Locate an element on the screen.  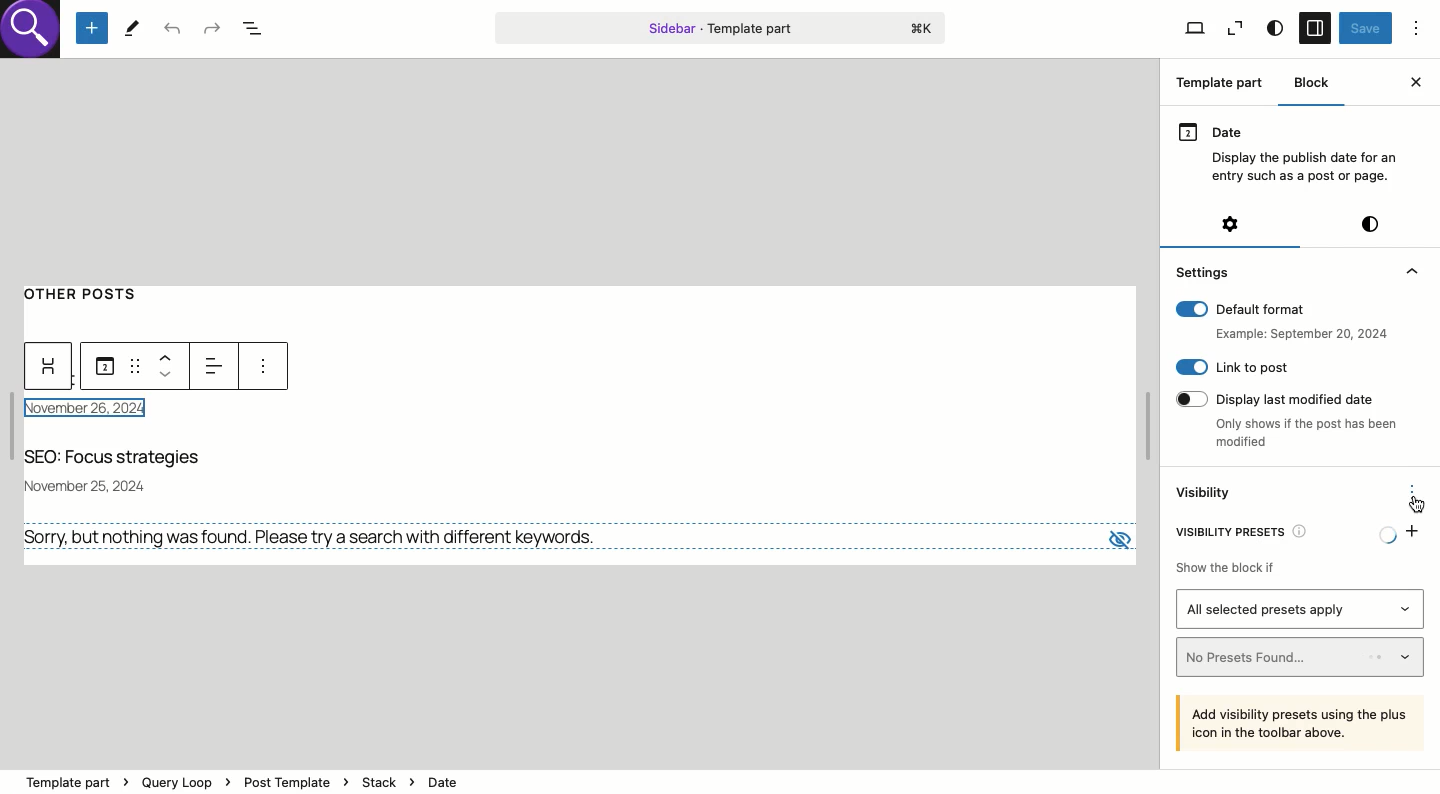
Settings is located at coordinates (1229, 224).